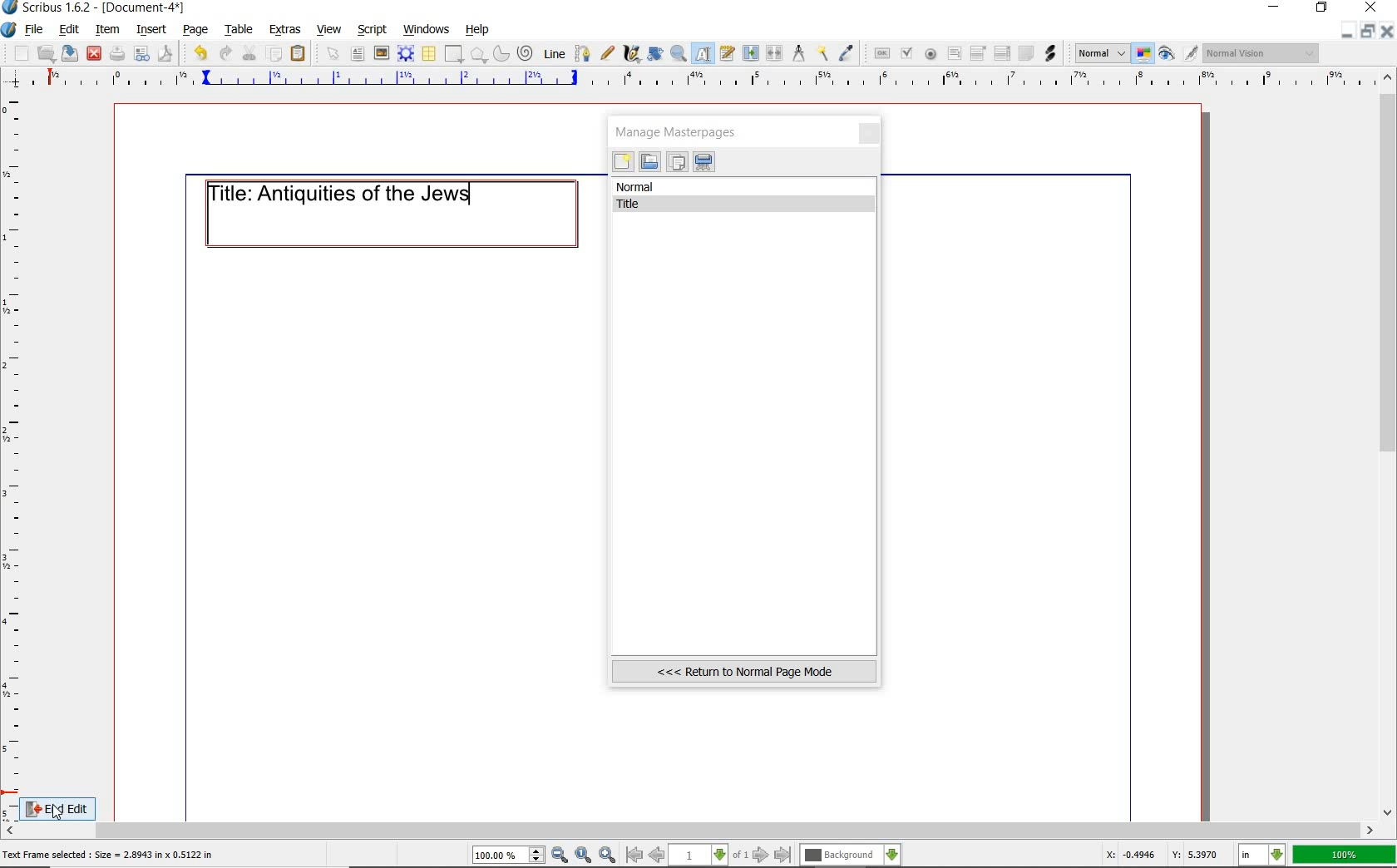 Image resolution: width=1397 pixels, height=868 pixels. Describe the element at coordinates (236, 29) in the screenshot. I see `table` at that location.